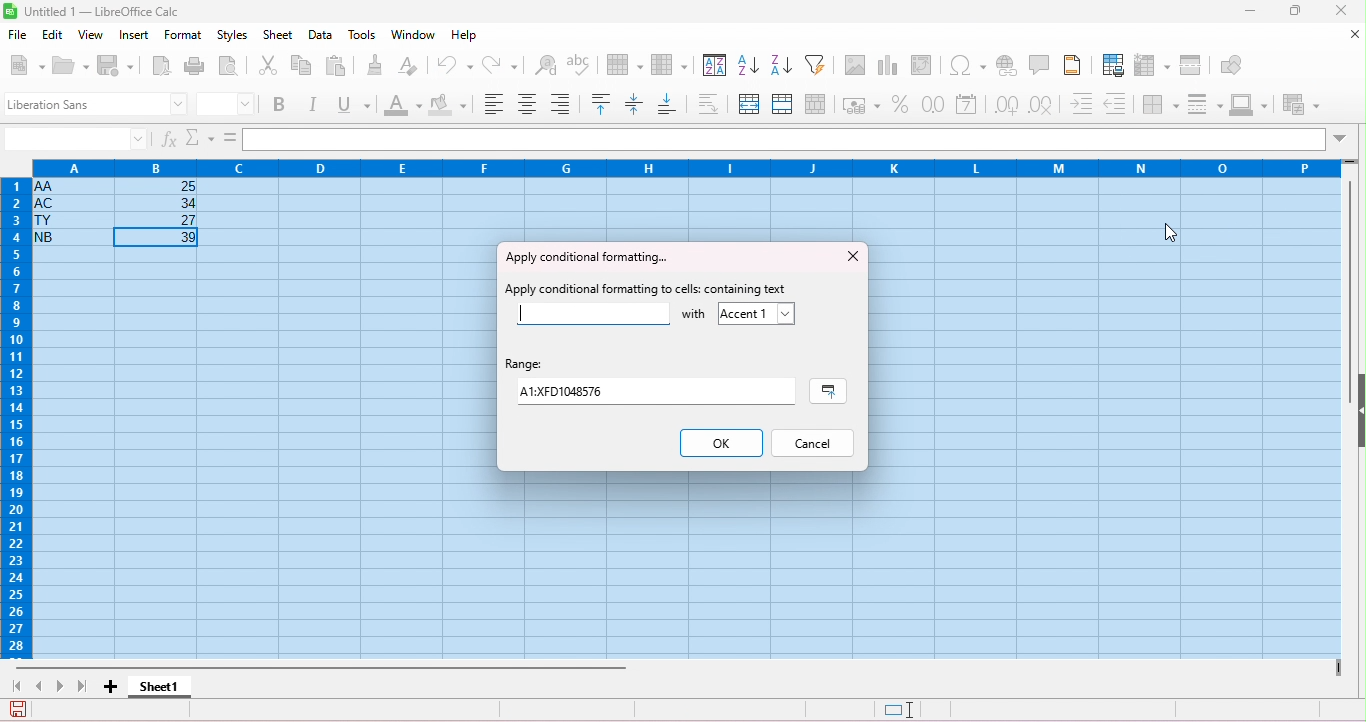 This screenshot has height=722, width=1366. Describe the element at coordinates (1042, 106) in the screenshot. I see `delete decimal` at that location.